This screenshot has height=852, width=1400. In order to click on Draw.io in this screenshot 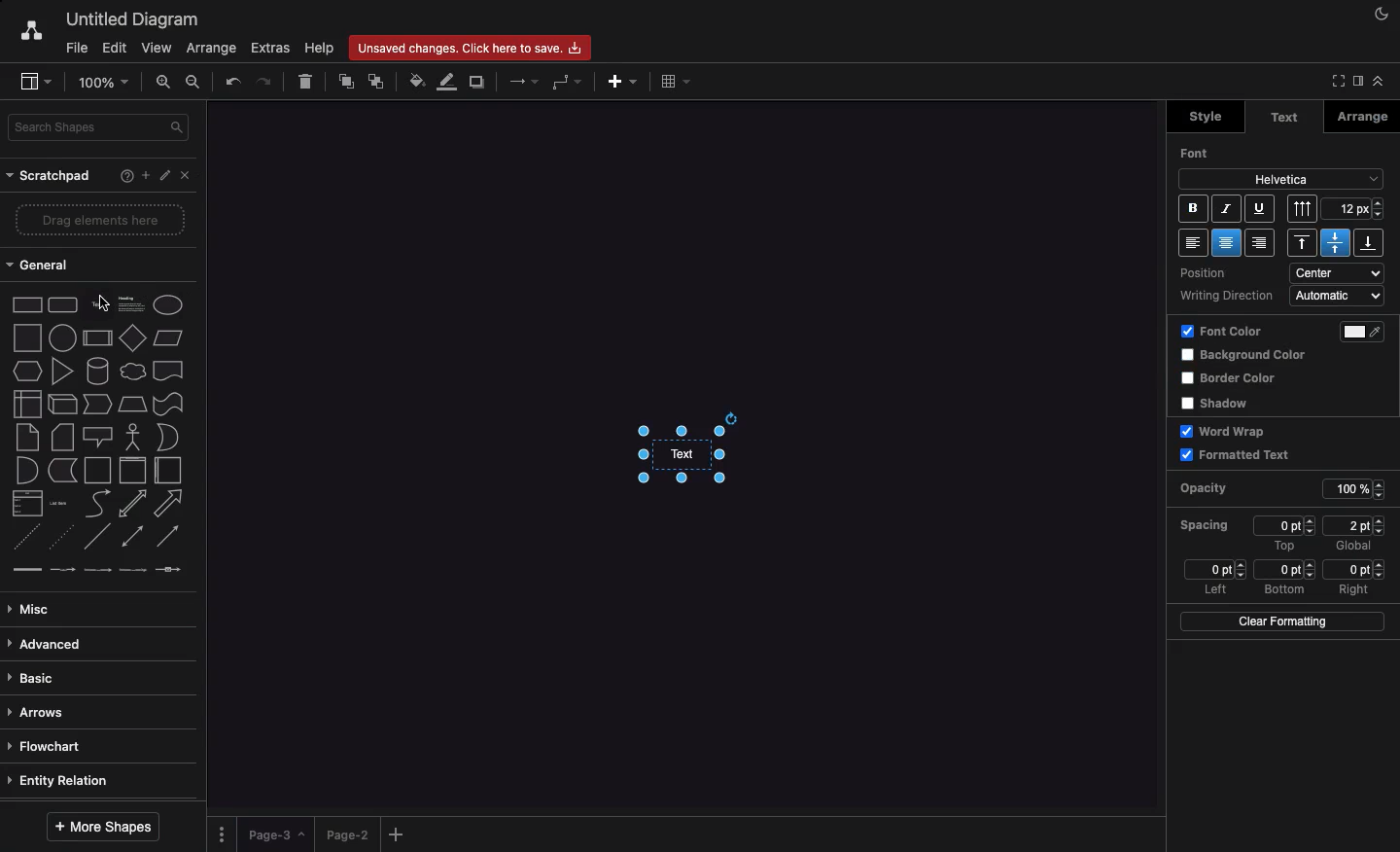, I will do `click(21, 33)`.